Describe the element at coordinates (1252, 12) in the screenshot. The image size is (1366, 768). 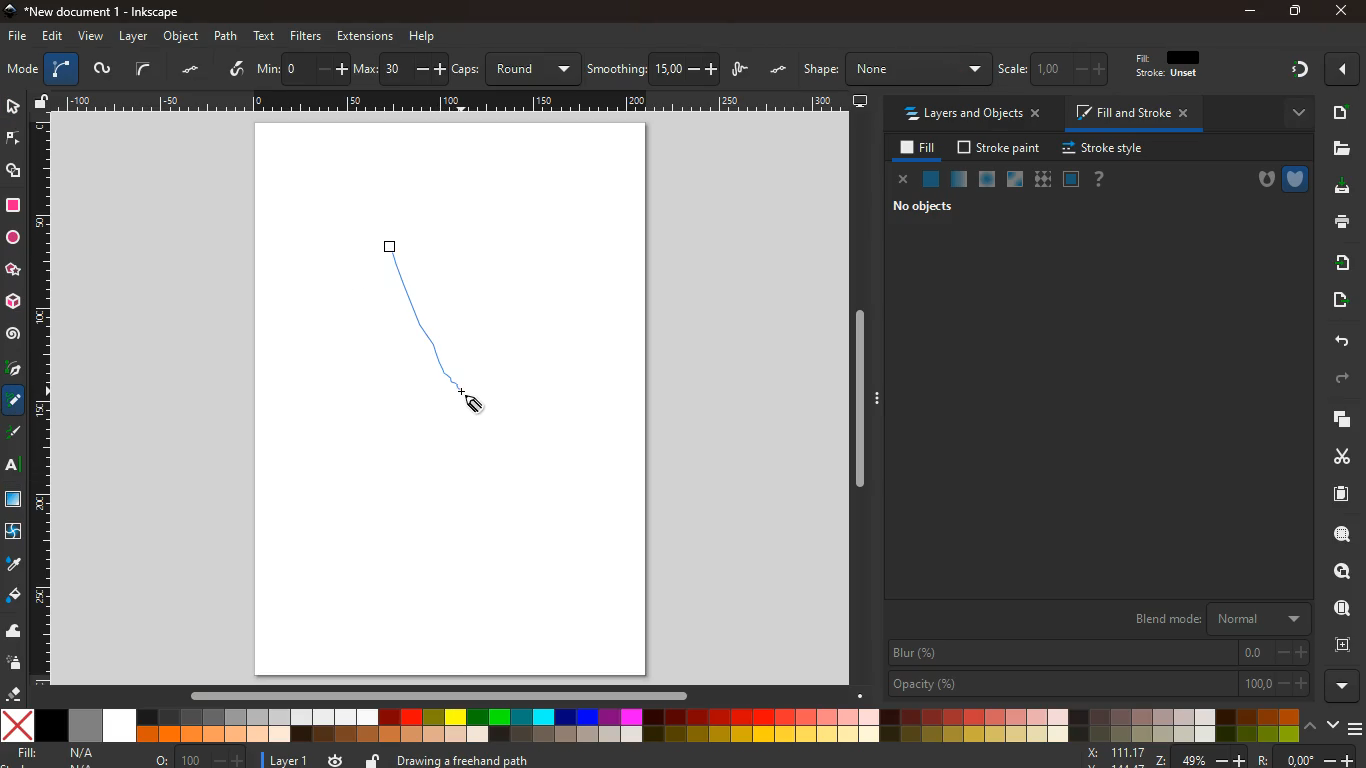
I see `minimize` at that location.